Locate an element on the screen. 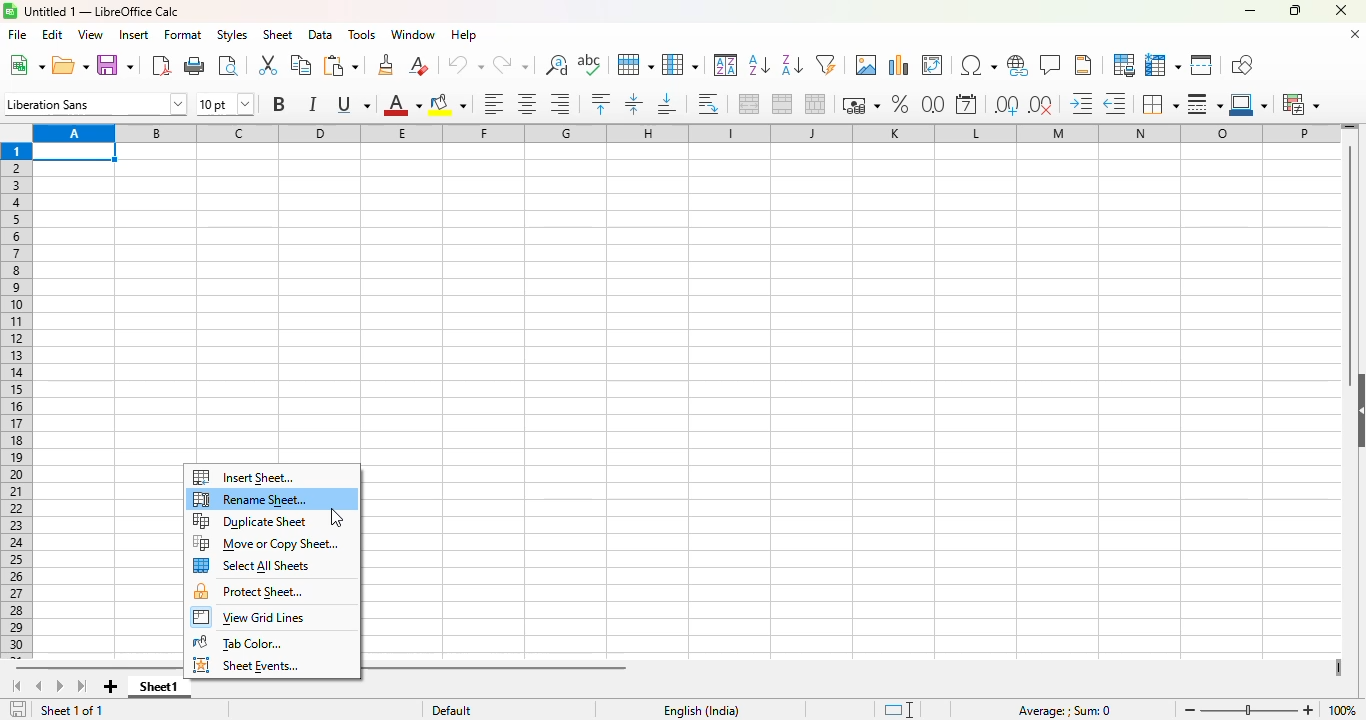 Image resolution: width=1366 pixels, height=720 pixels. select all sheets is located at coordinates (254, 566).